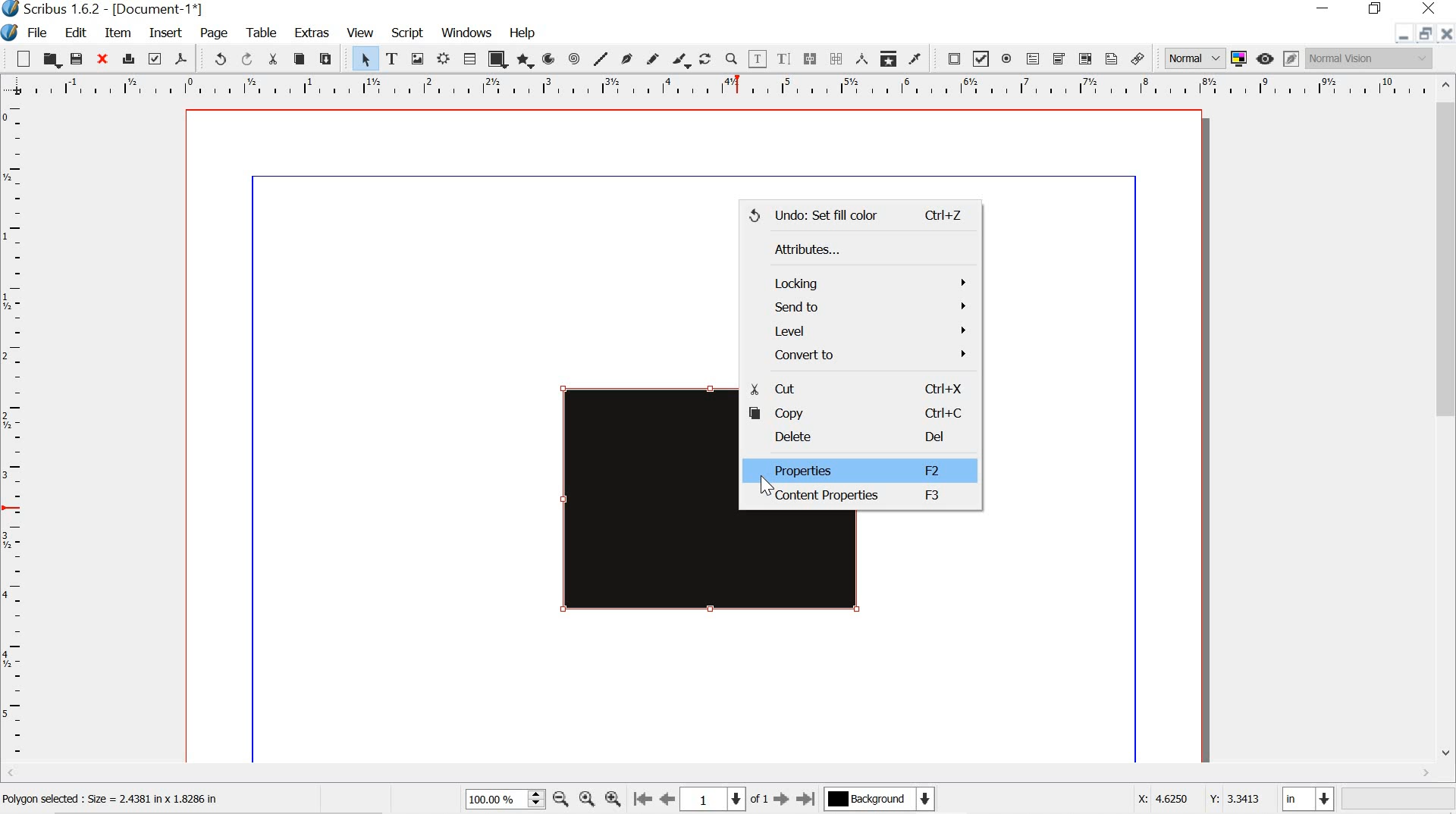  What do you see at coordinates (118, 33) in the screenshot?
I see `item` at bounding box center [118, 33].